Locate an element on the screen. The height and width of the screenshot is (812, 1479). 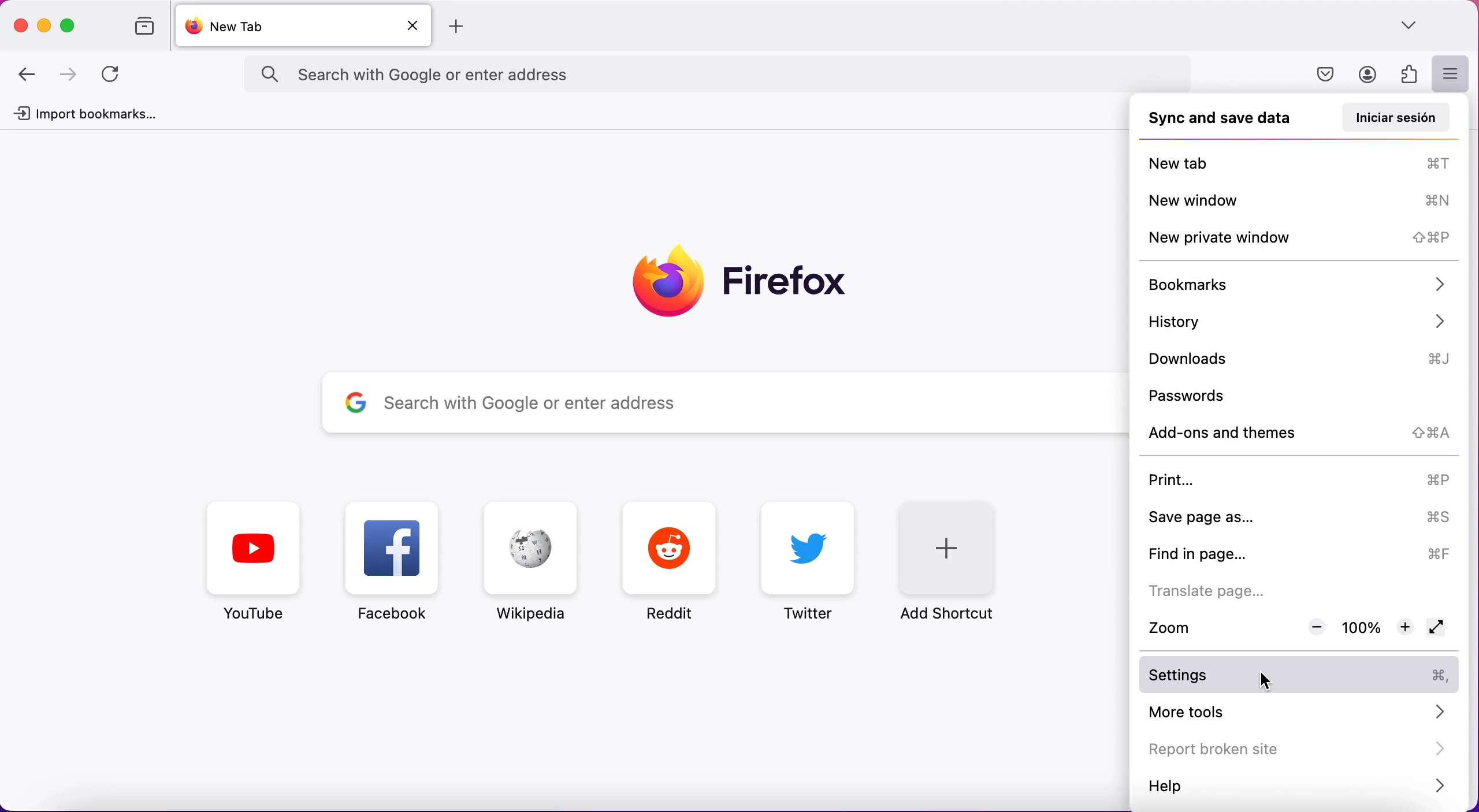
add new tab is located at coordinates (461, 27).